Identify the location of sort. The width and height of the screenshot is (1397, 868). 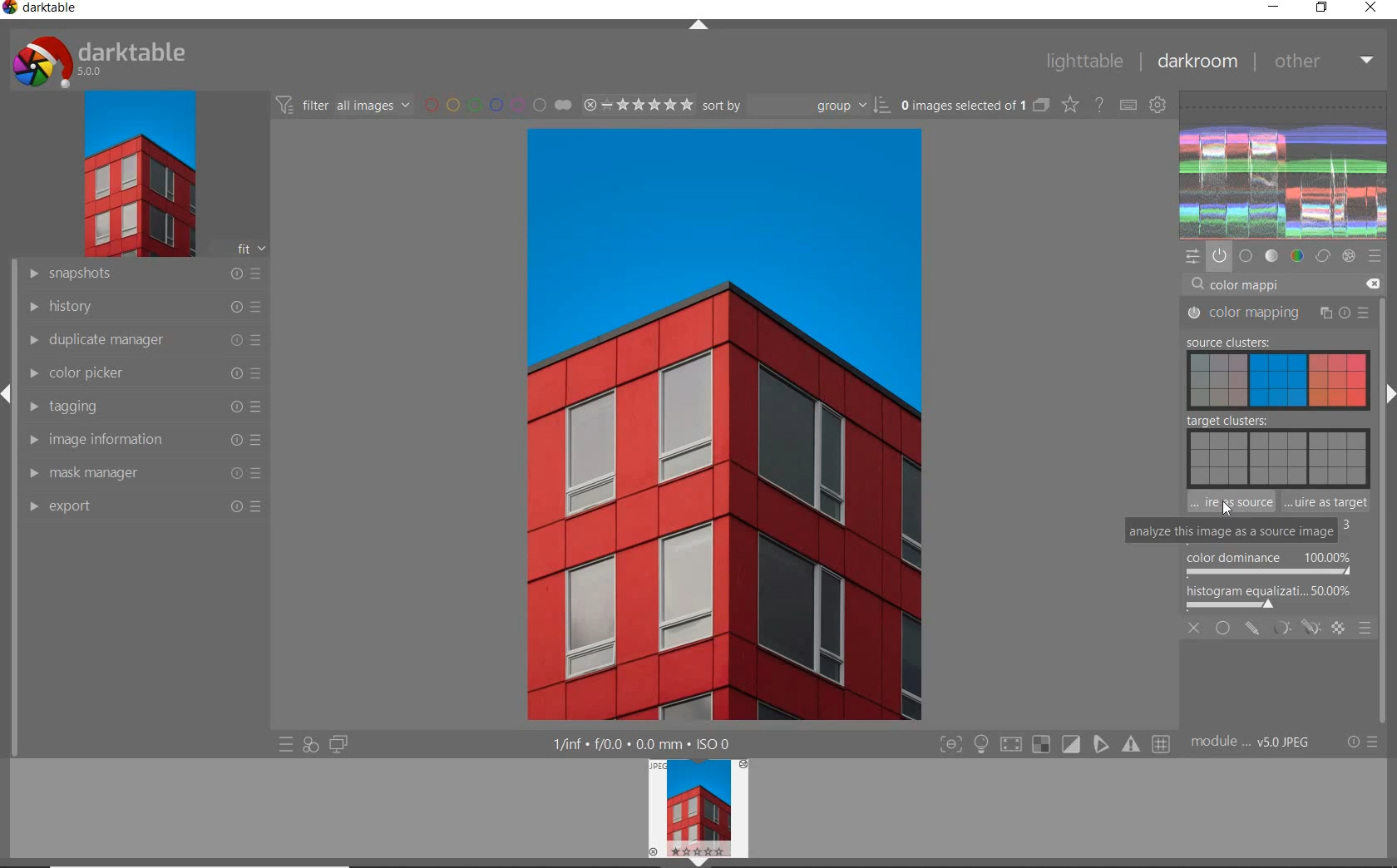
(796, 104).